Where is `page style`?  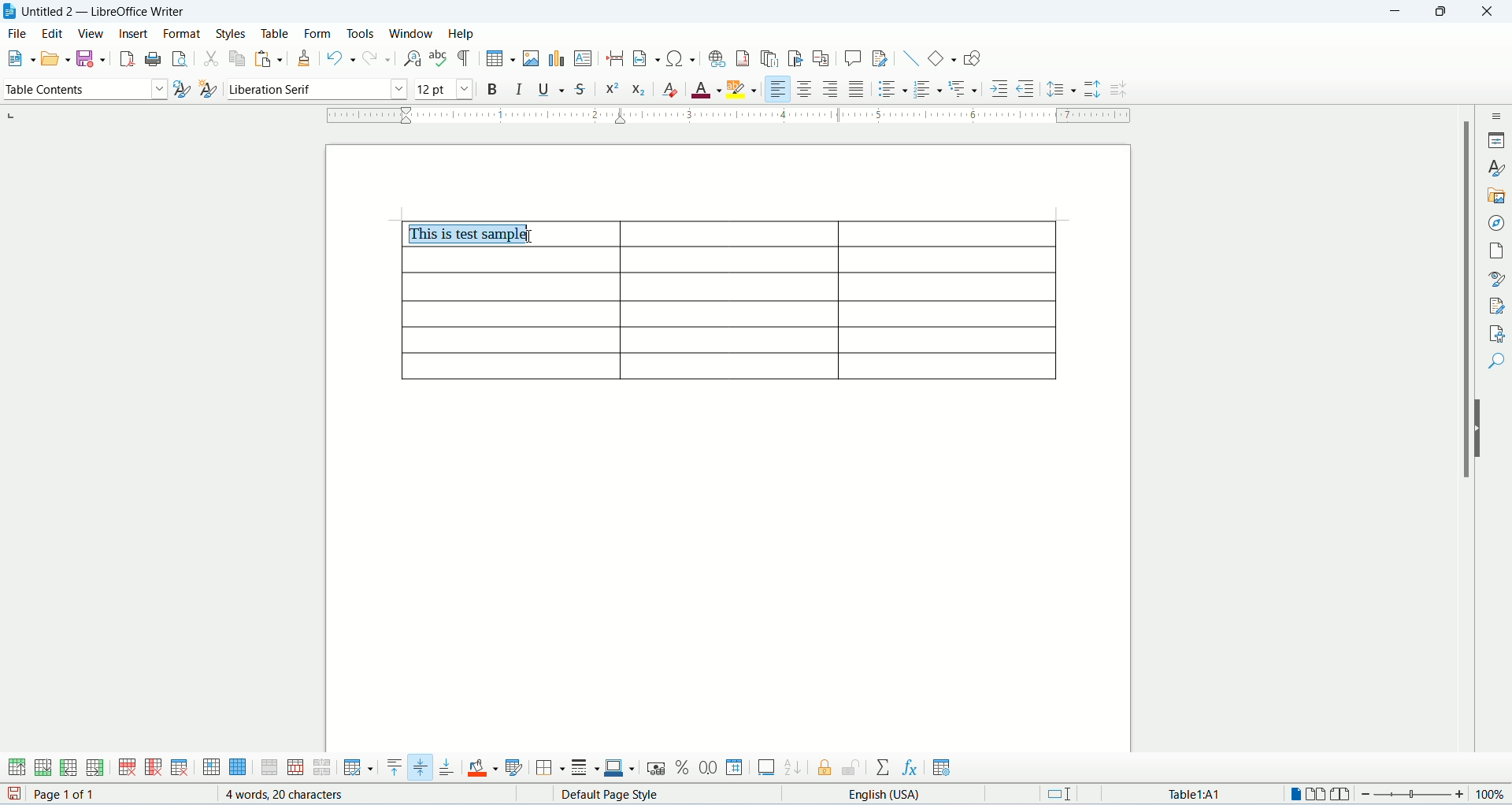
page style is located at coordinates (621, 795).